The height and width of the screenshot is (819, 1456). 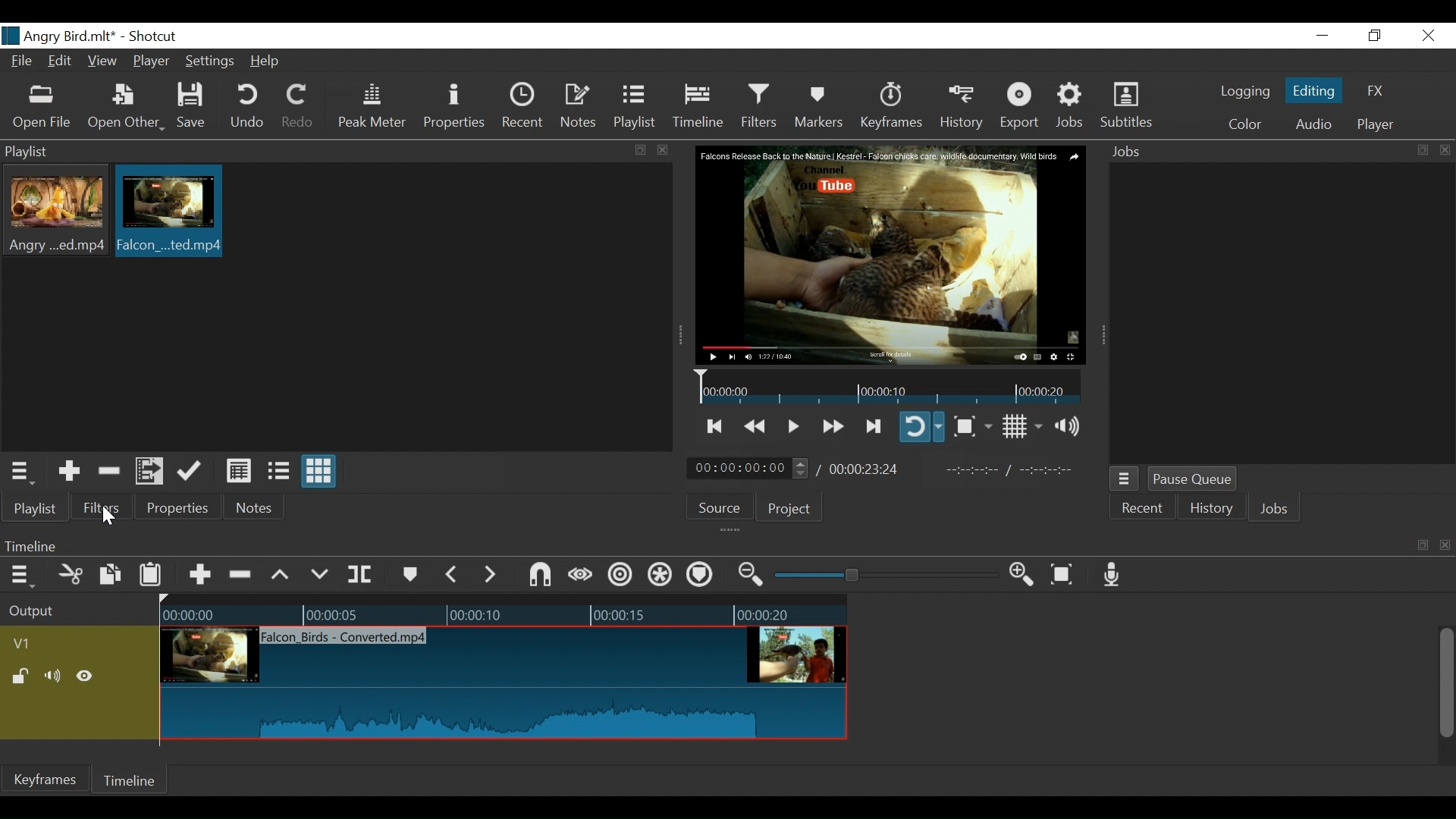 I want to click on Playlist Panel, so click(x=308, y=150).